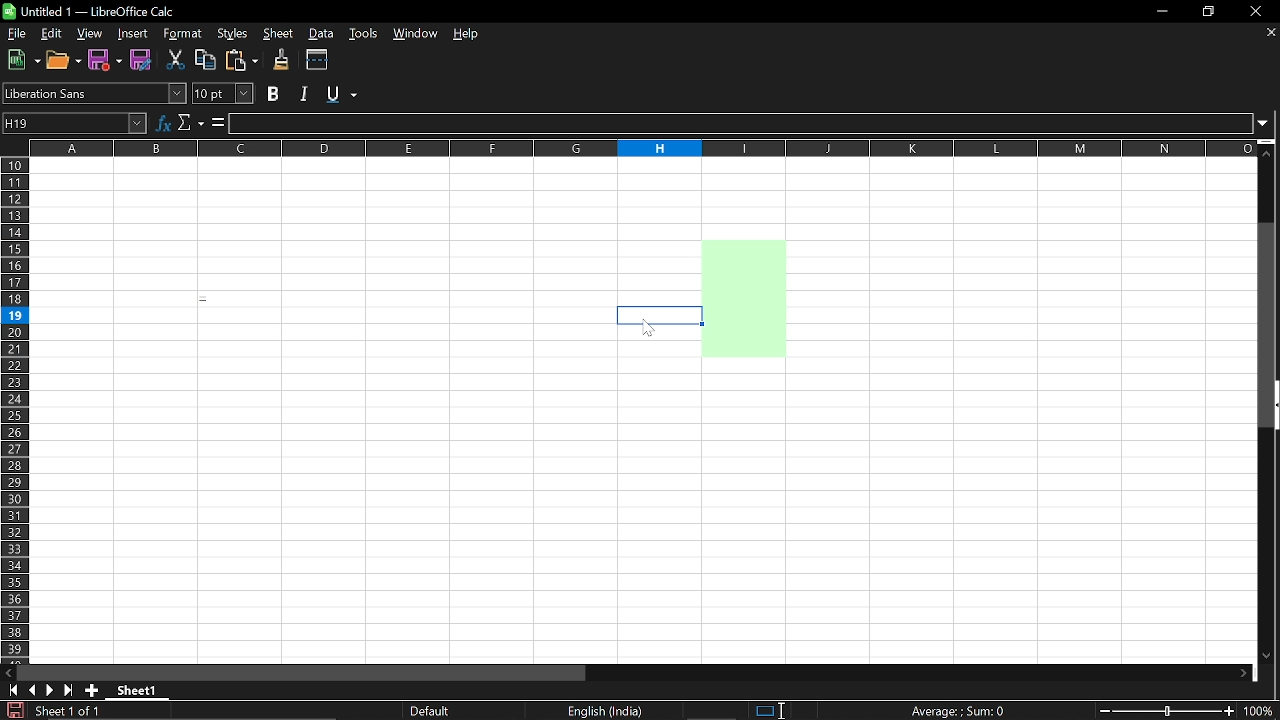 The height and width of the screenshot is (720, 1280). Describe the element at coordinates (417, 35) in the screenshot. I see `Window` at that location.